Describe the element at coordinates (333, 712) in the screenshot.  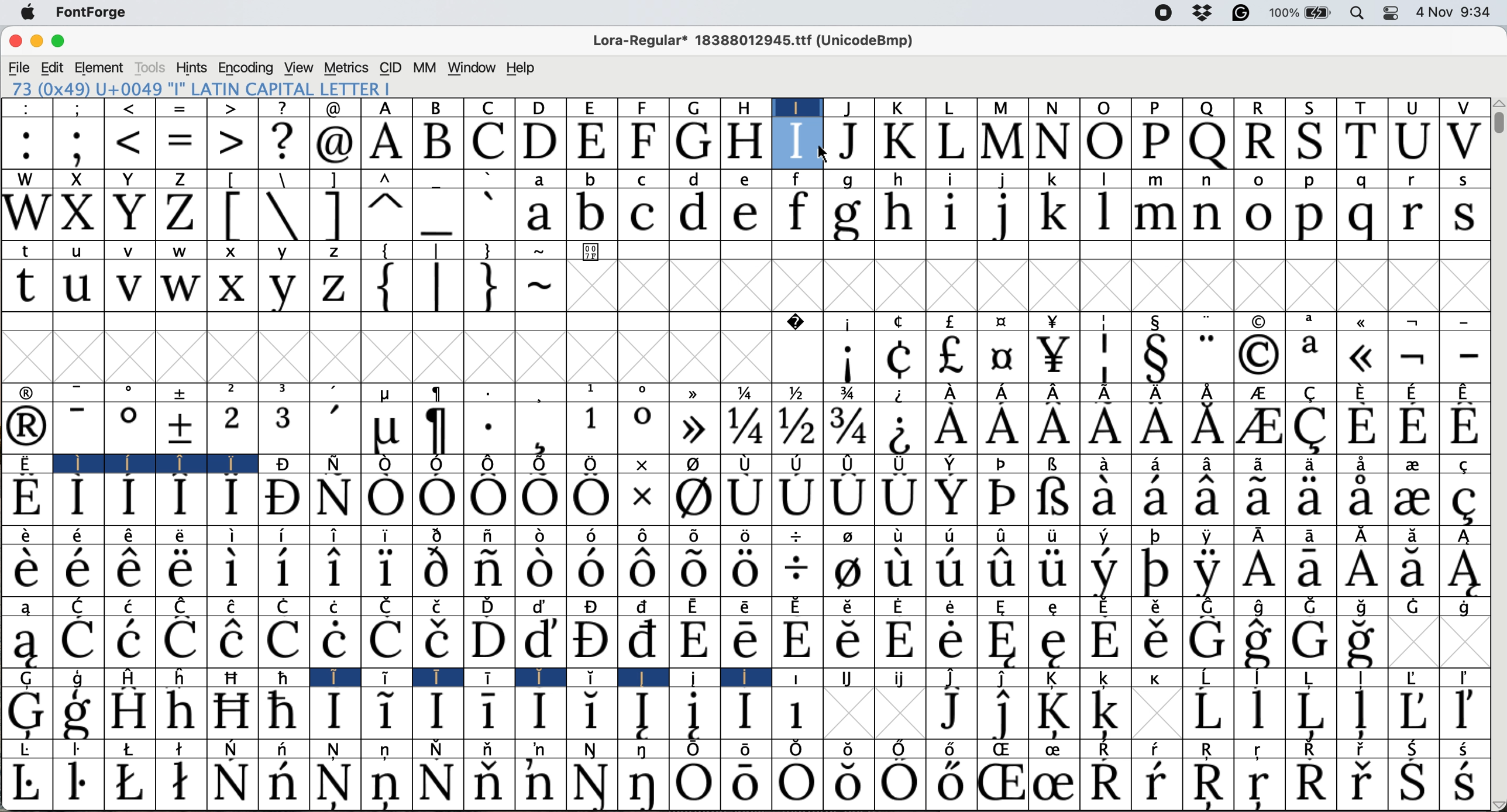
I see `Symbol` at that location.